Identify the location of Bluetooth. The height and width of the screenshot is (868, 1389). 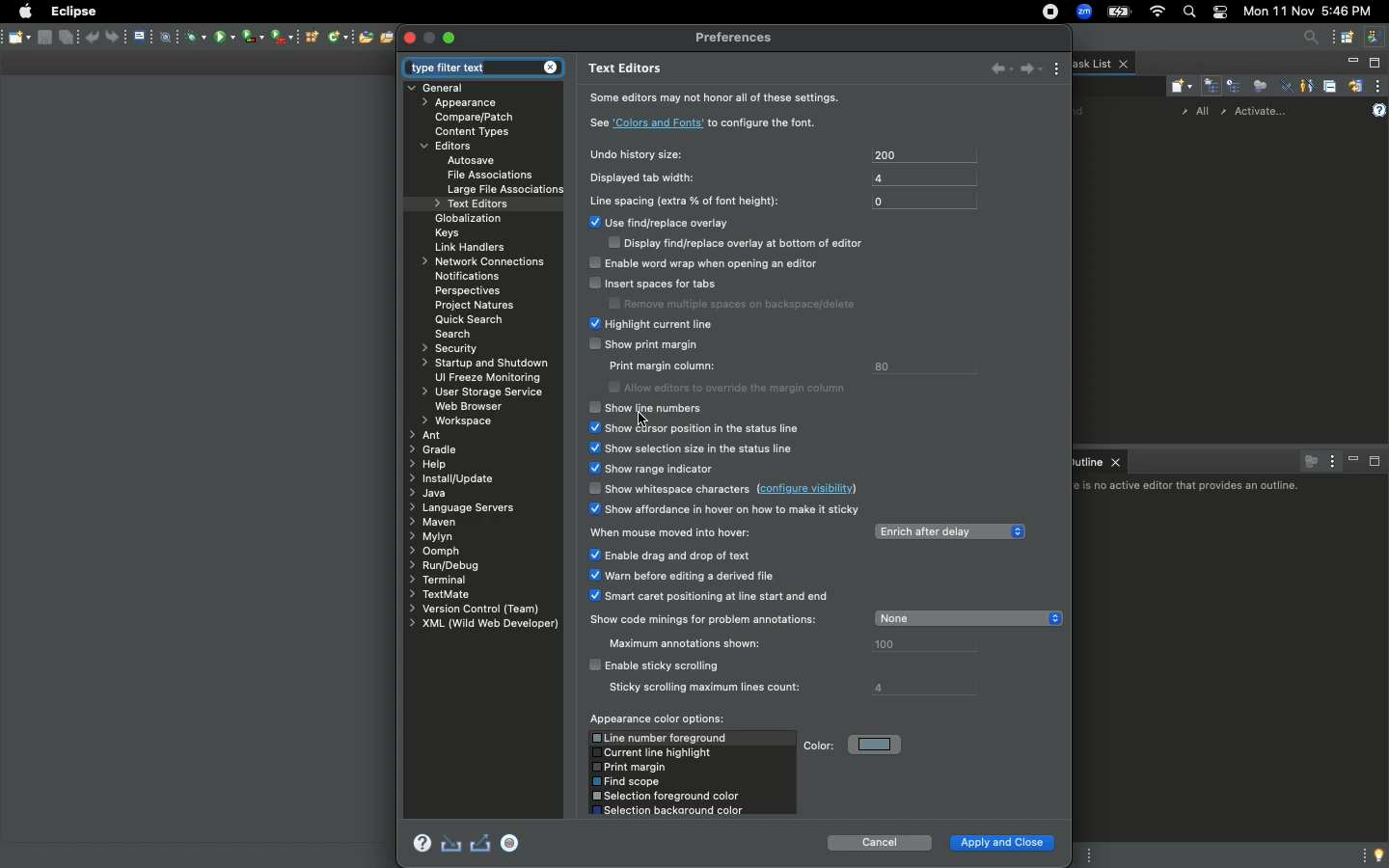
(264, 40).